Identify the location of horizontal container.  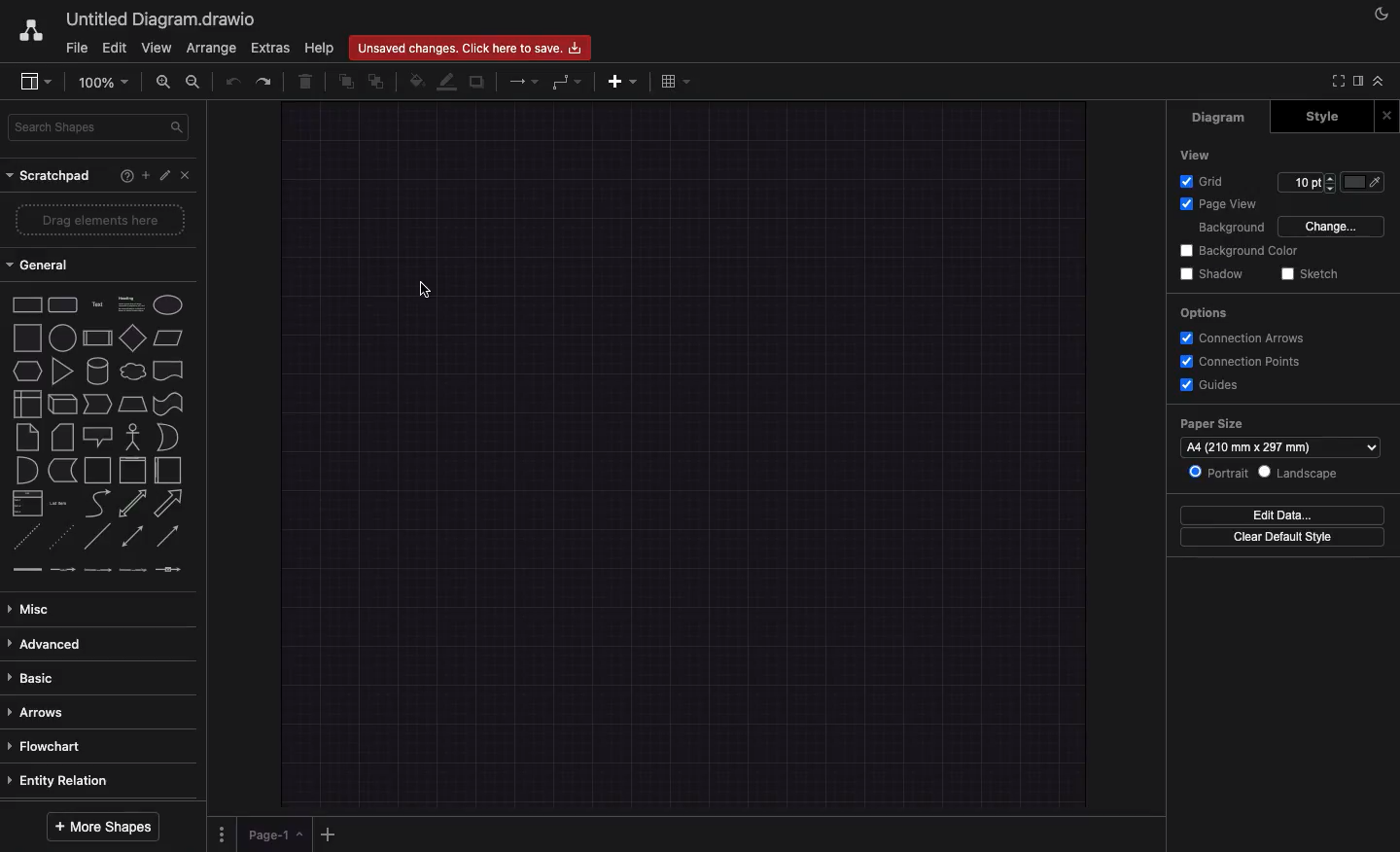
(168, 470).